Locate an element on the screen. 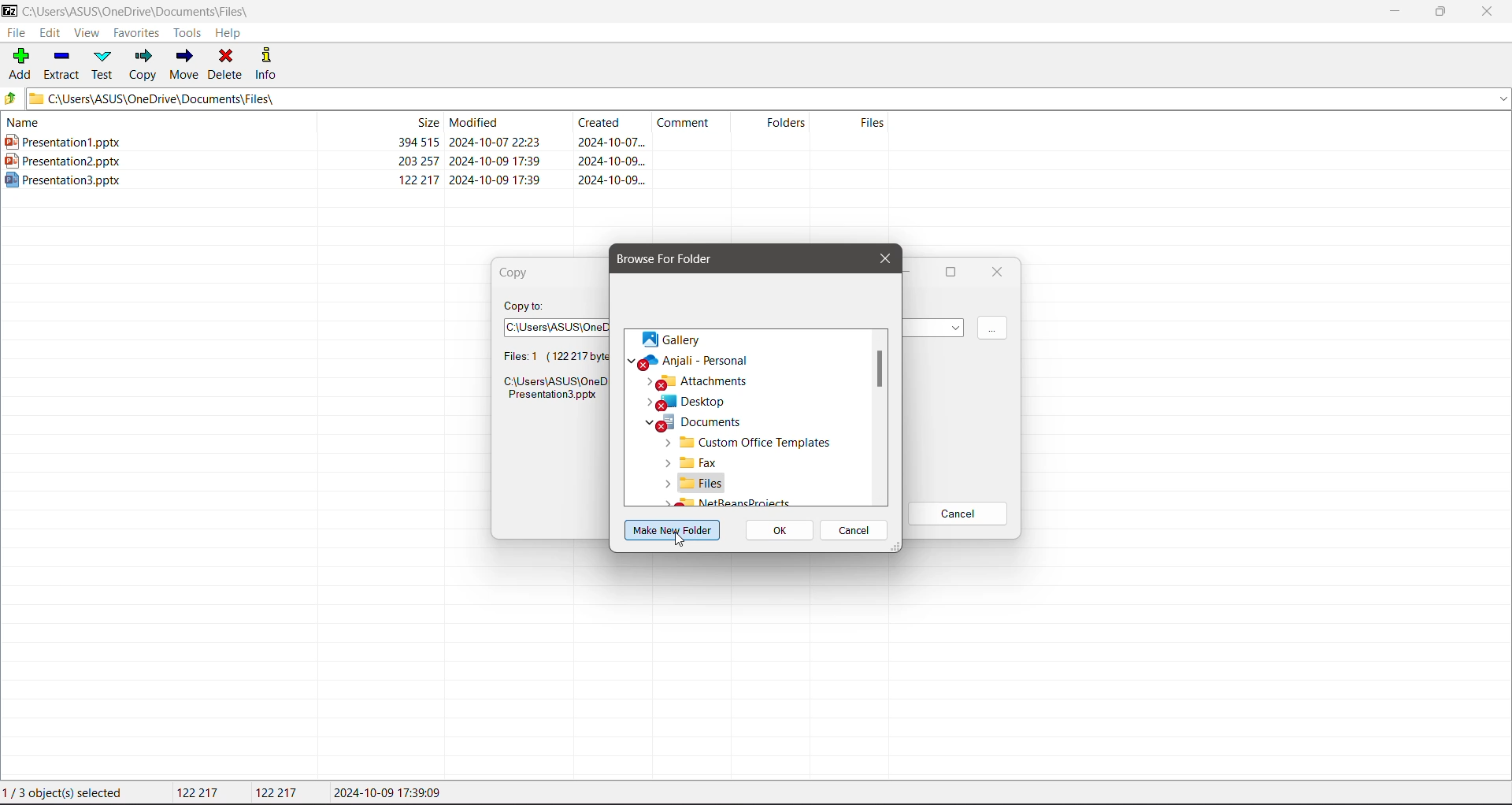 The image size is (1512, 805). Selected File Source Path is located at coordinates (552, 391).